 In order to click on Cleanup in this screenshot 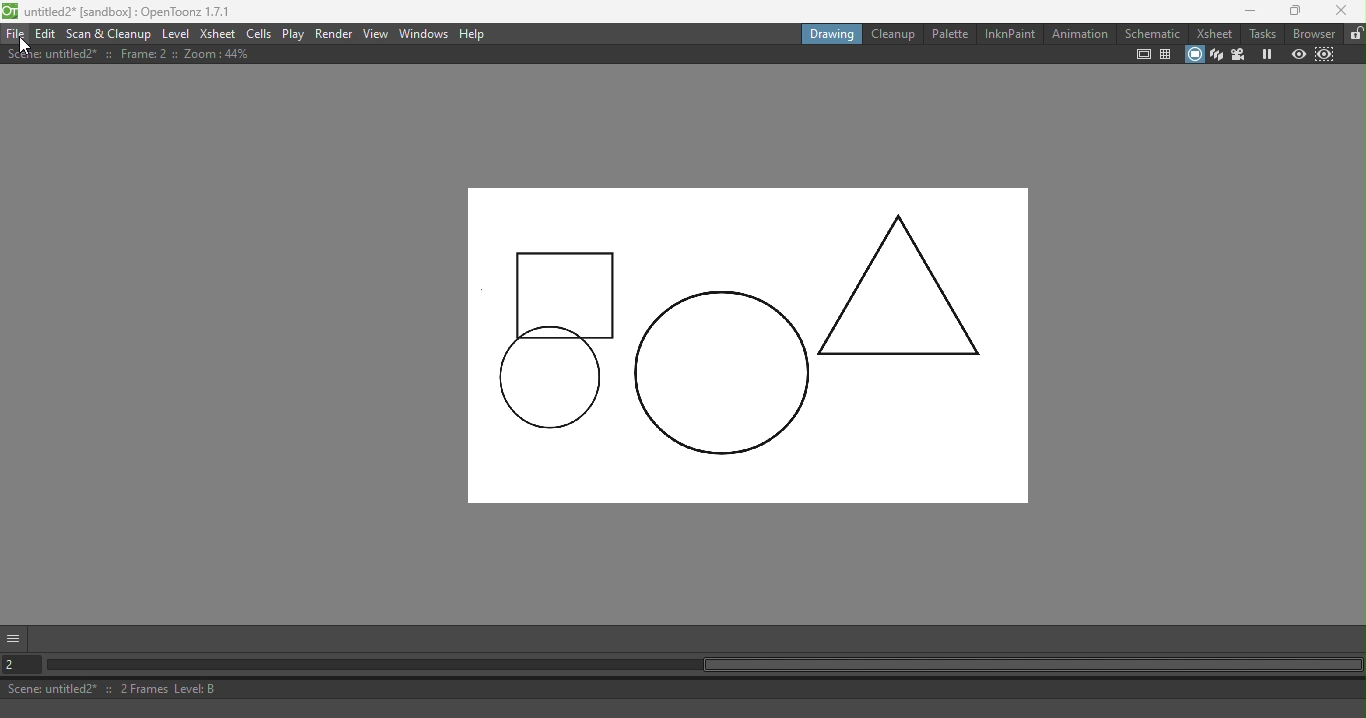, I will do `click(890, 34)`.